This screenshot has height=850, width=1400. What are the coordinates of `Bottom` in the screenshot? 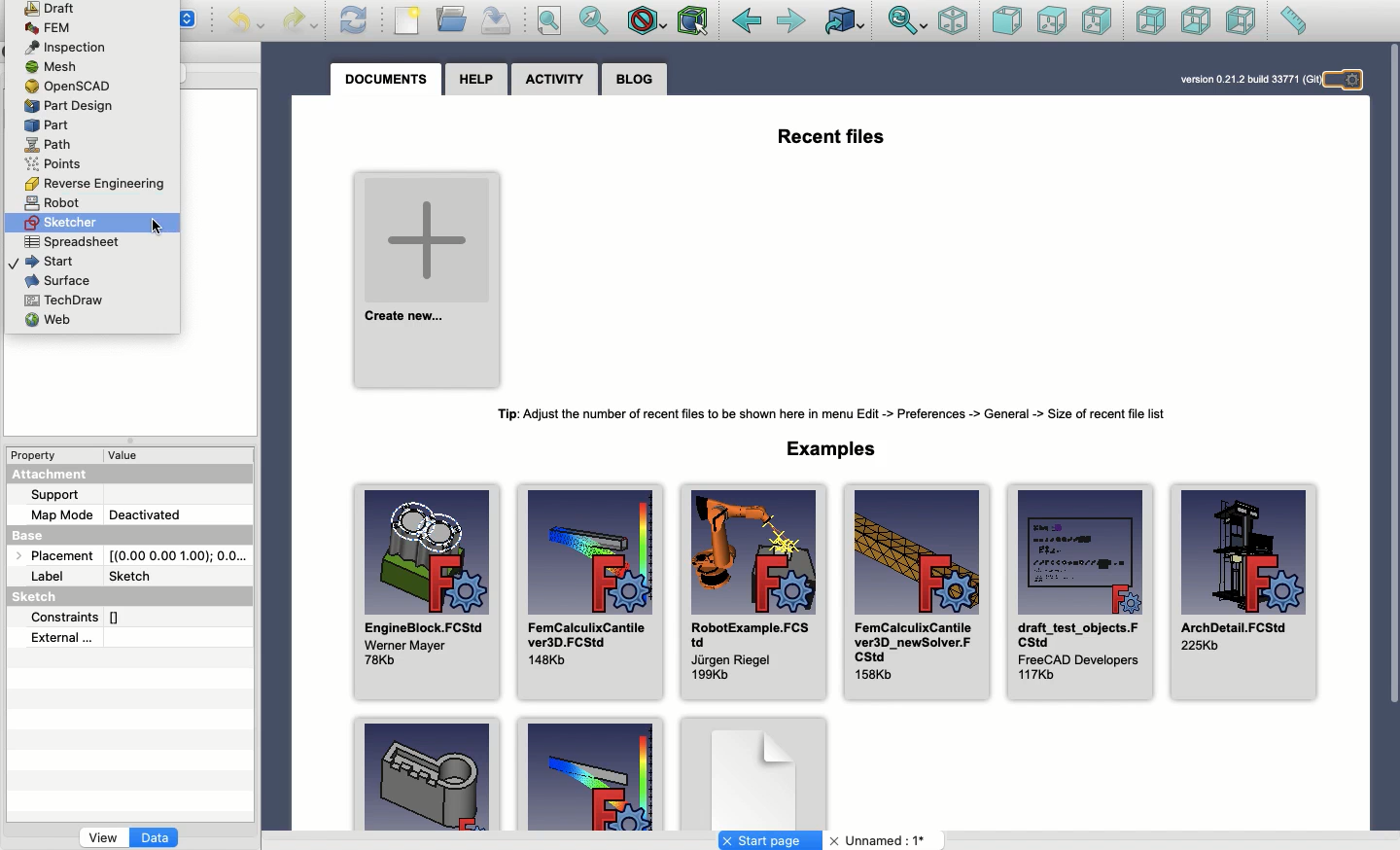 It's located at (1194, 20).